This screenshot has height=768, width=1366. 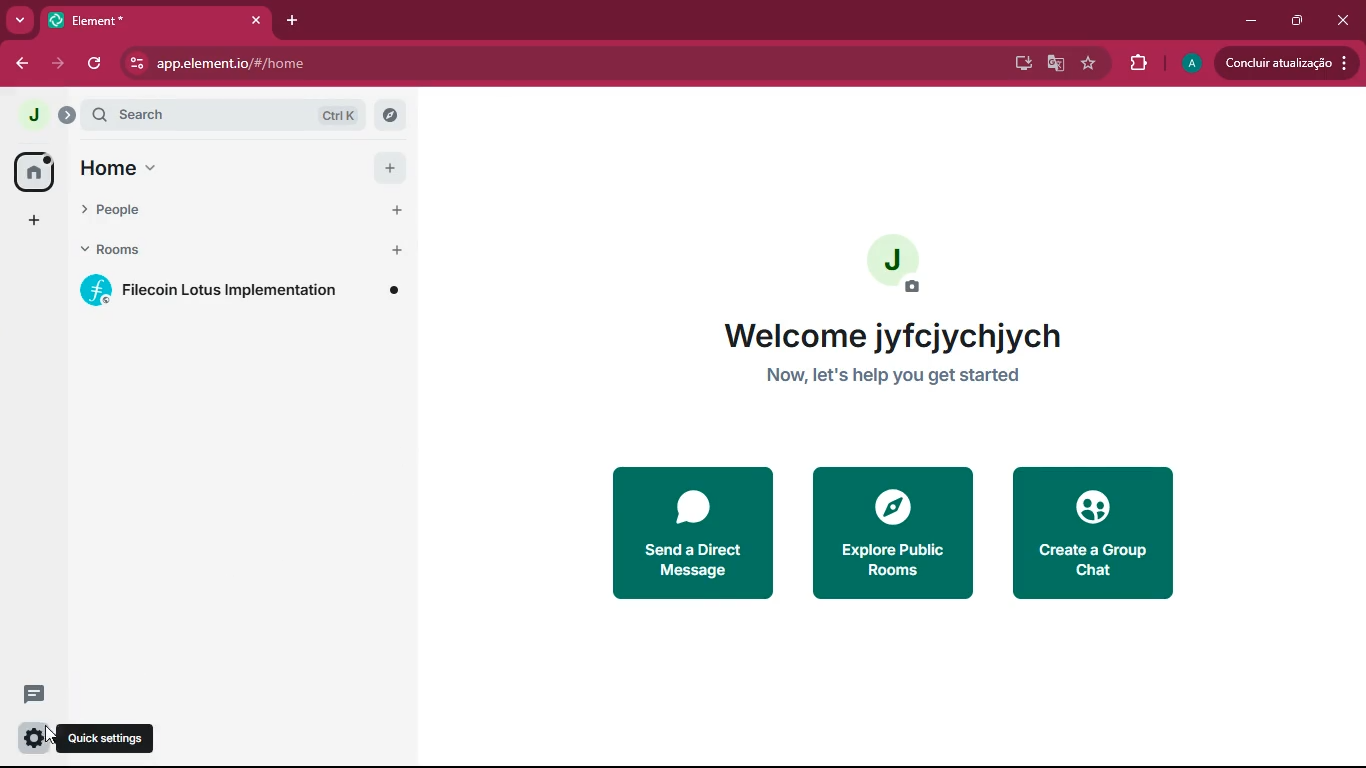 What do you see at coordinates (51, 734) in the screenshot?
I see `cursor` at bounding box center [51, 734].